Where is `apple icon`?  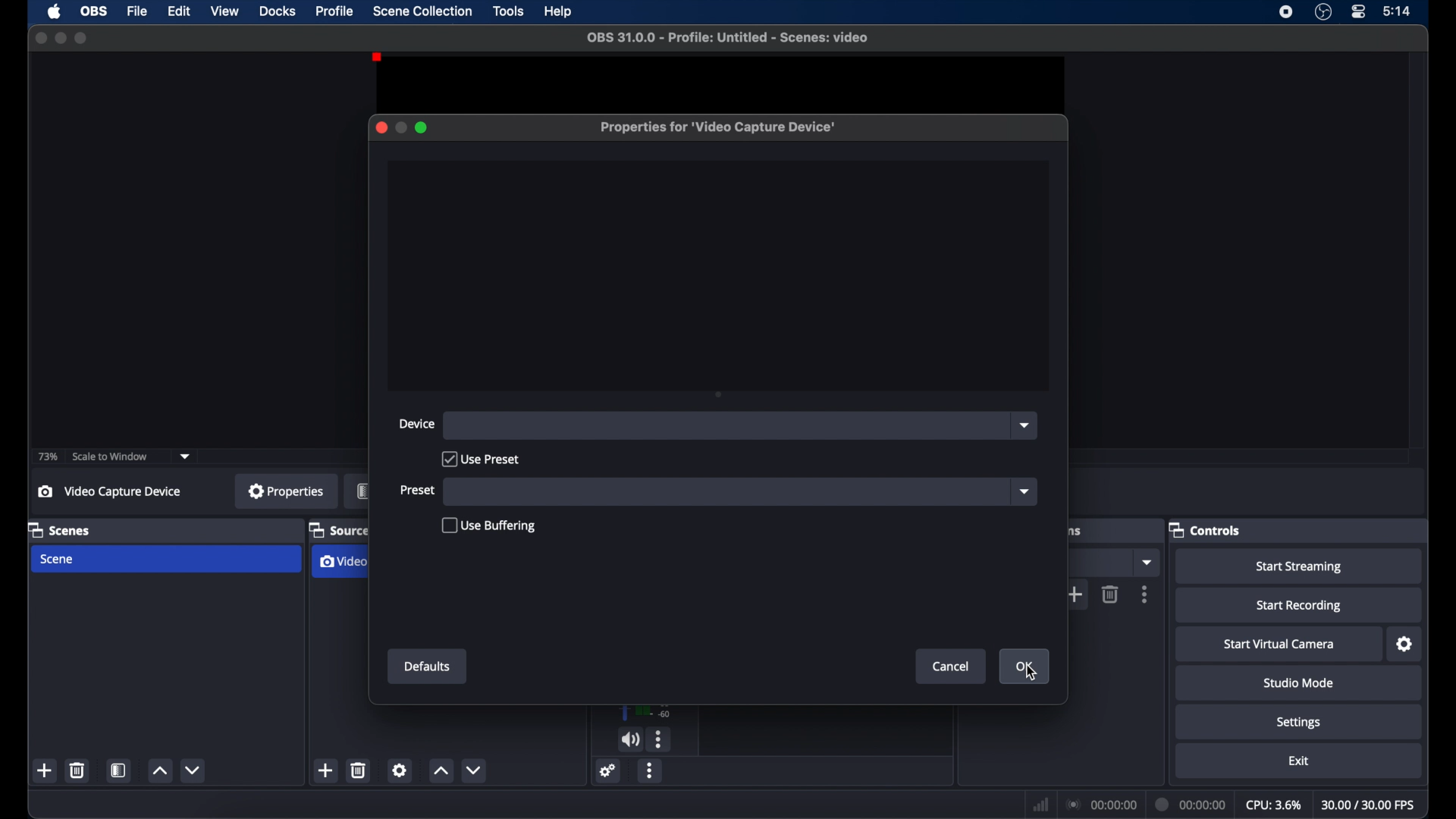 apple icon is located at coordinates (55, 11).